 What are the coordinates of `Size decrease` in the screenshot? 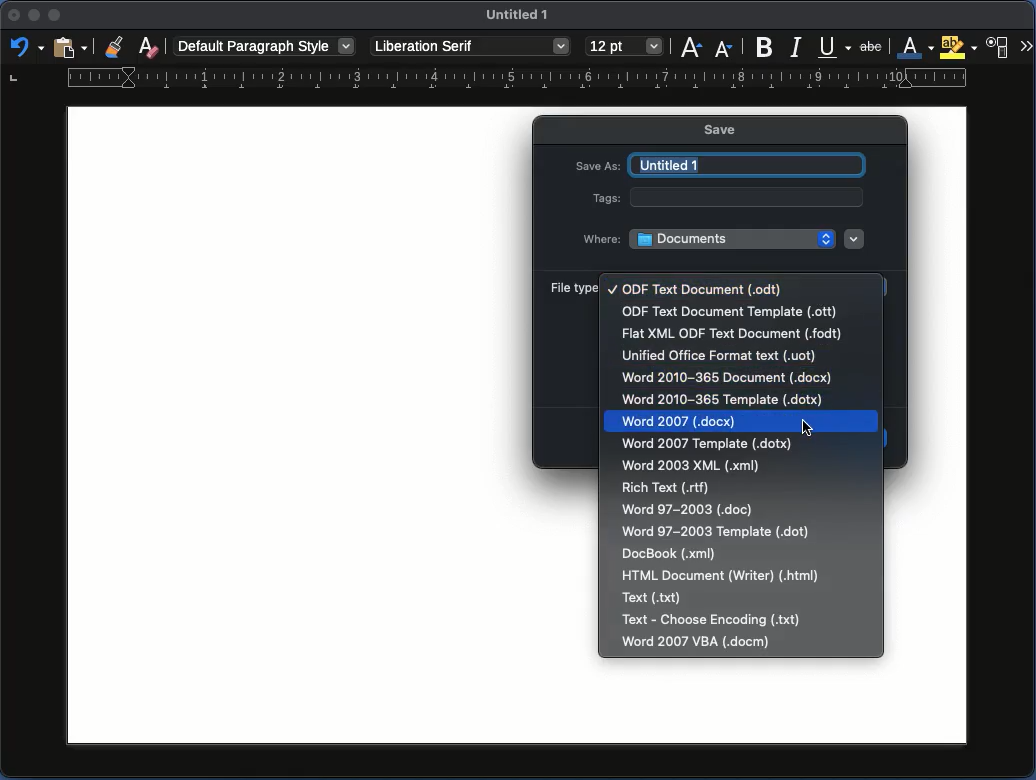 It's located at (724, 46).